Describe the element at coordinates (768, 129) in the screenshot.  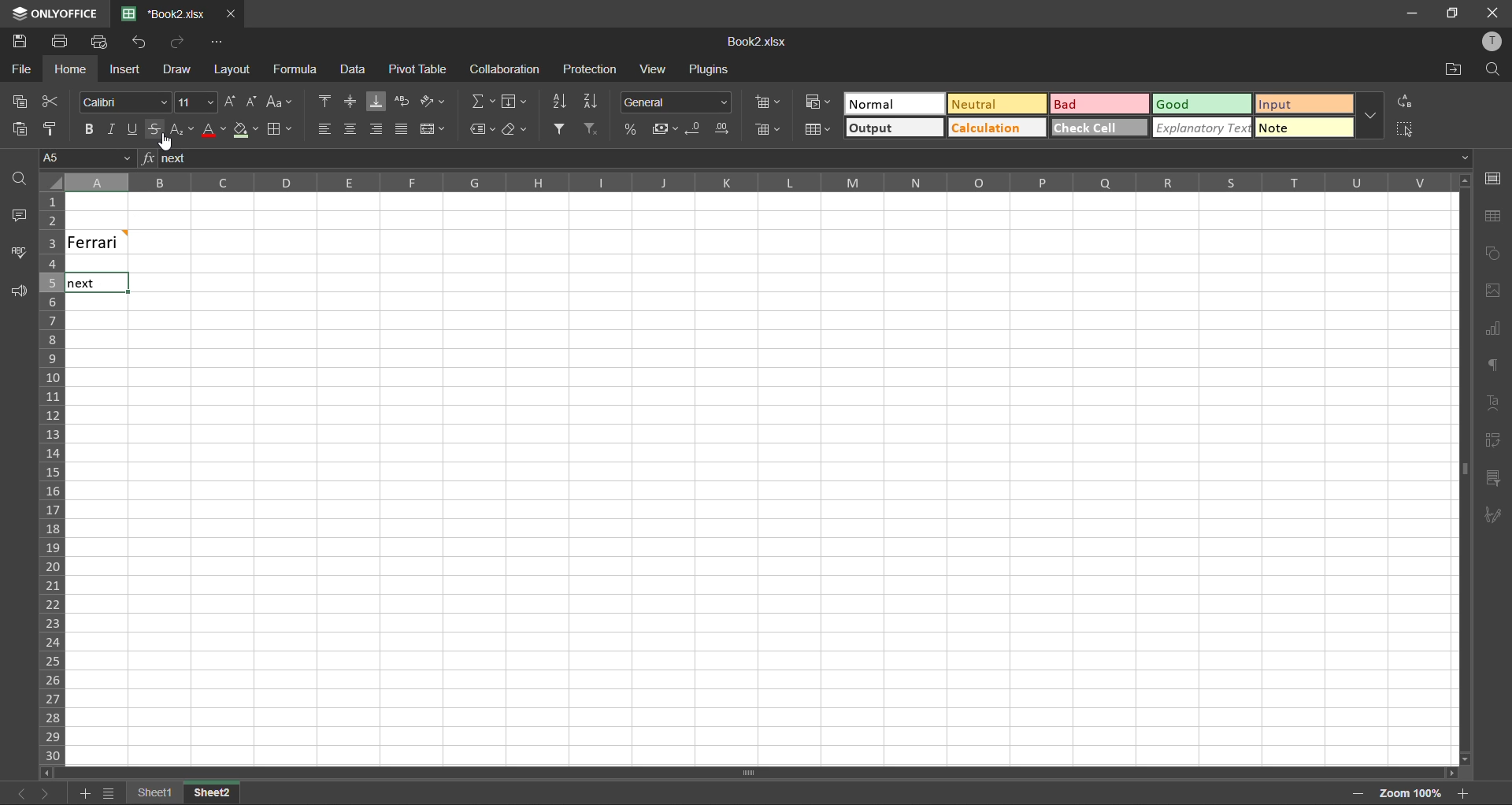
I see `delete cells` at that location.